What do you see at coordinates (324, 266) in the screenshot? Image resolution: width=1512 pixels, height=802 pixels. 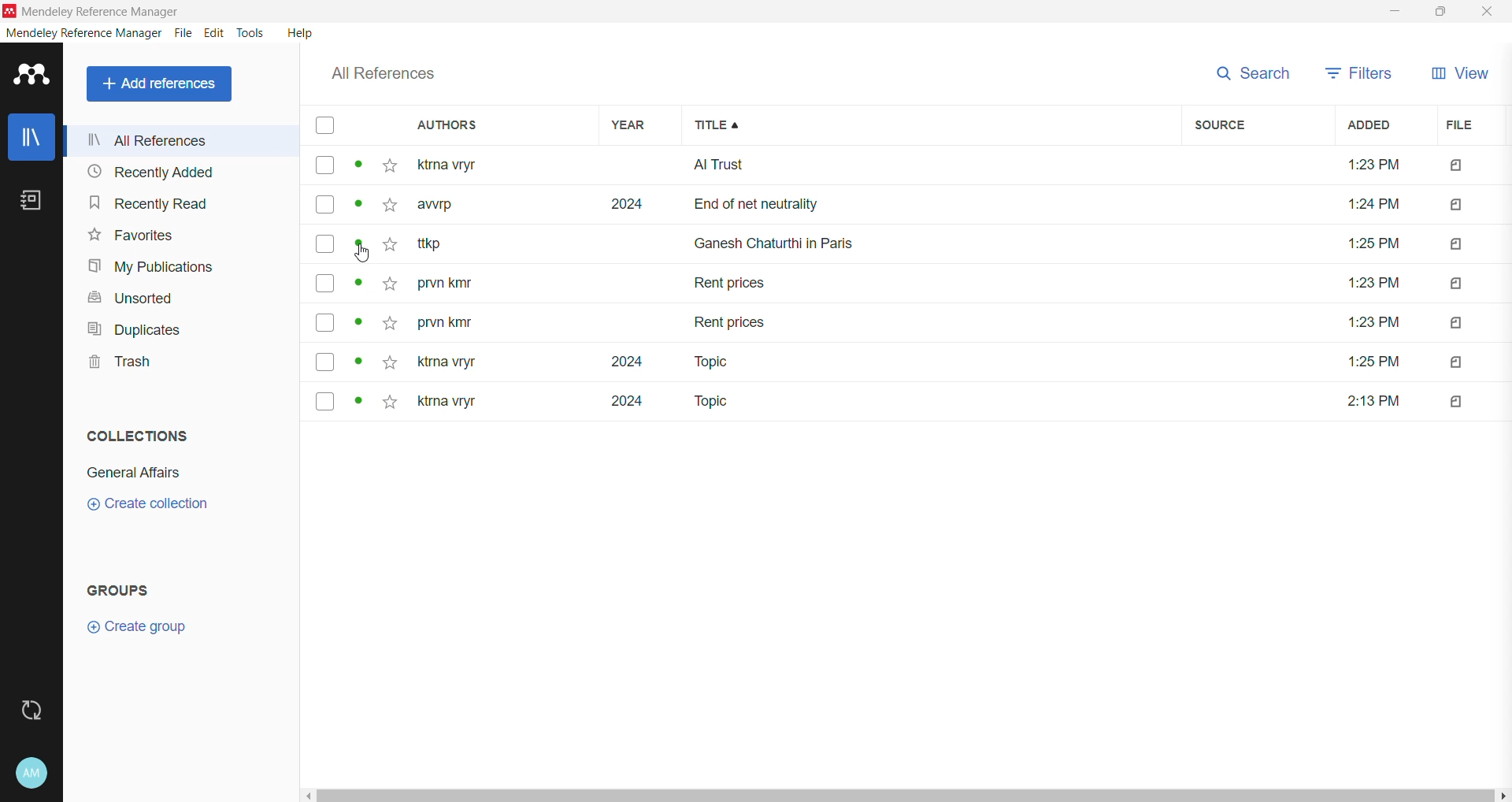 I see `Click to select the item` at bounding box center [324, 266].